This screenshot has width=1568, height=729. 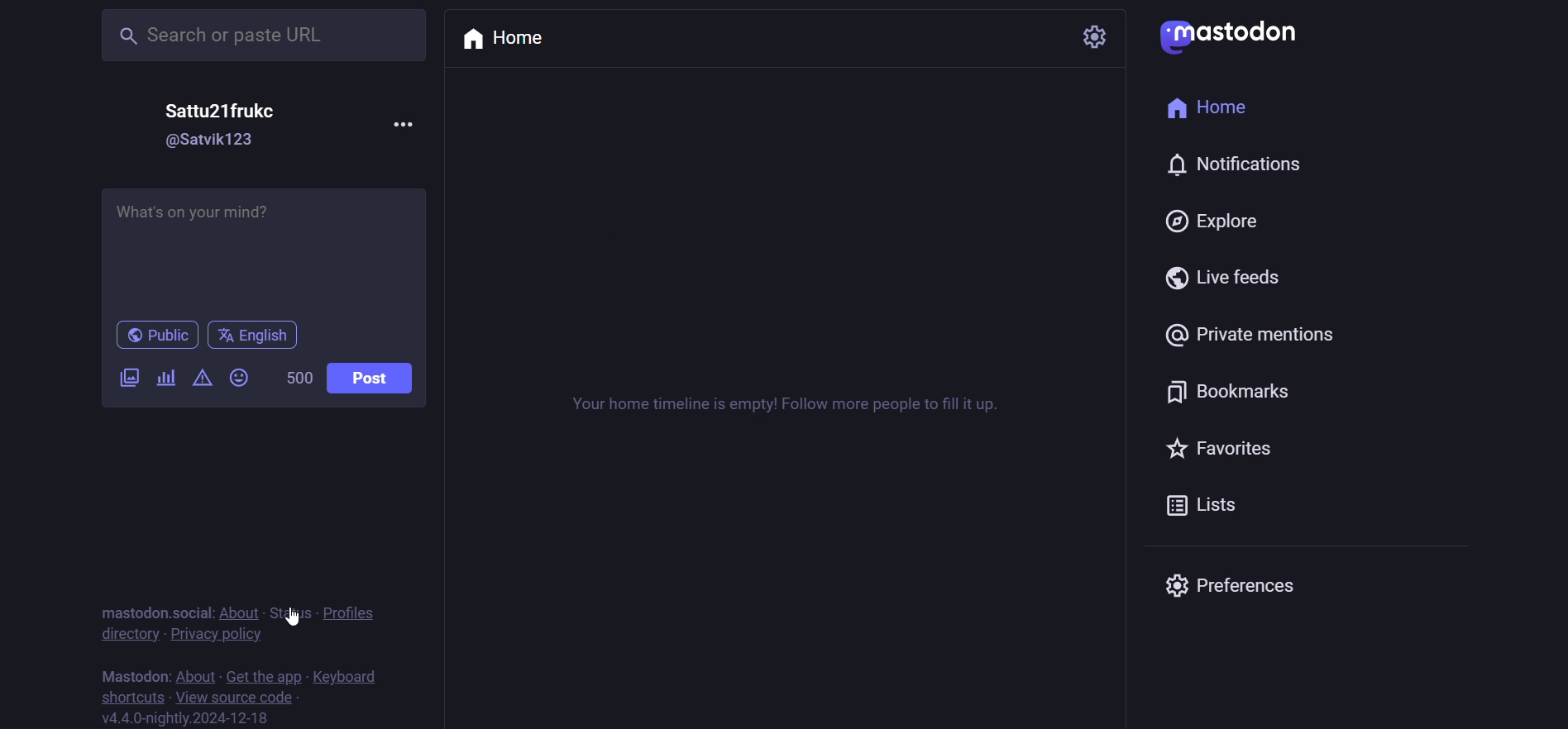 What do you see at coordinates (131, 671) in the screenshot?
I see `mastodon` at bounding box center [131, 671].